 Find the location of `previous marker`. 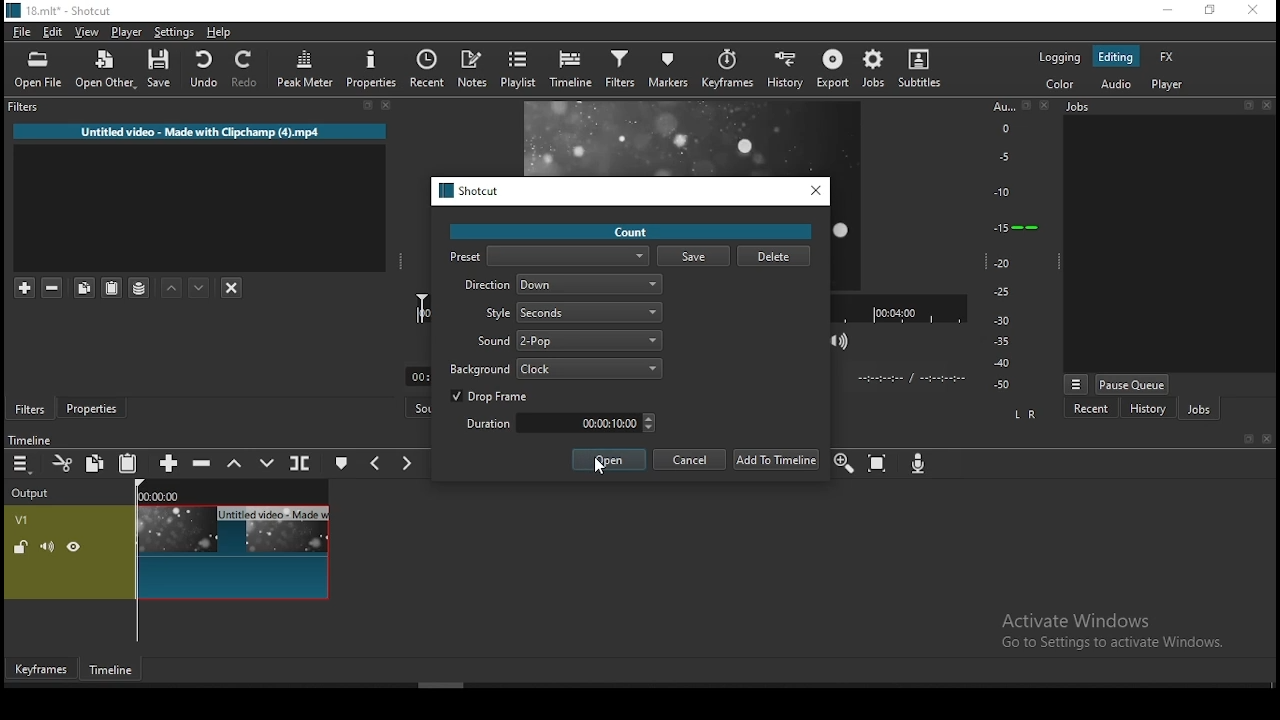

previous marker is located at coordinates (377, 462).